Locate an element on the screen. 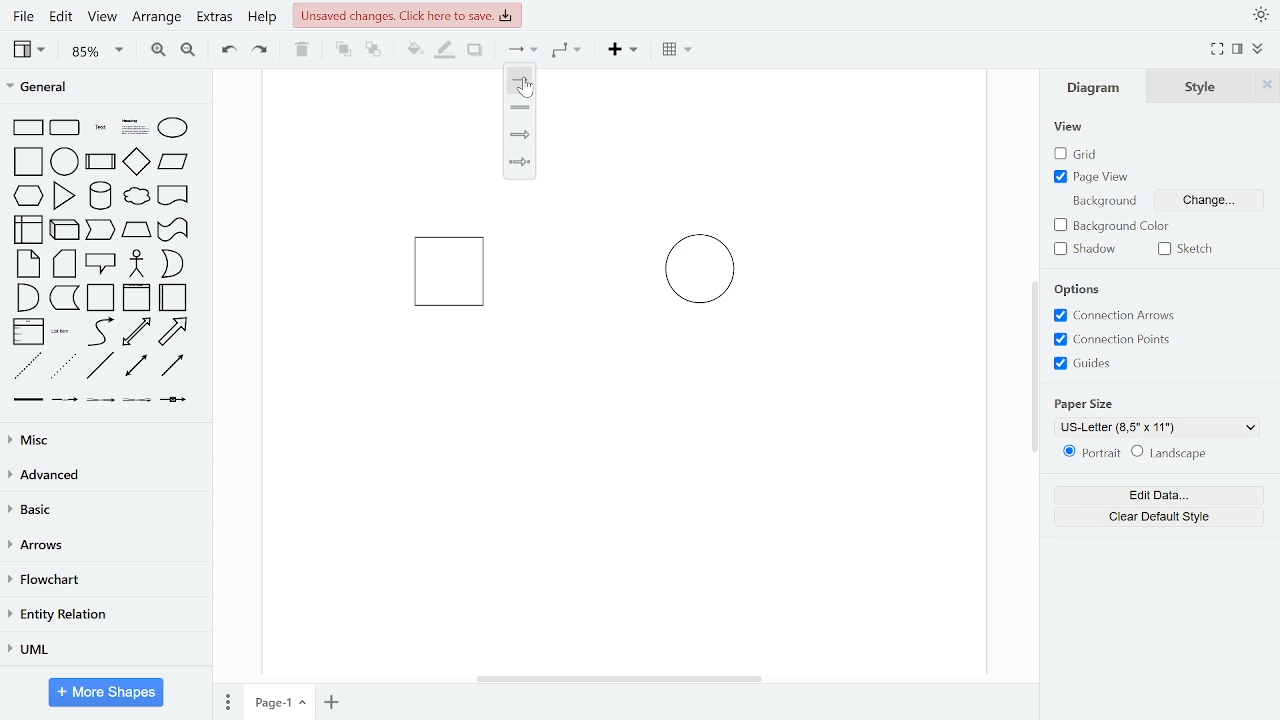 The width and height of the screenshot is (1280, 720). rectangle is located at coordinates (28, 128).